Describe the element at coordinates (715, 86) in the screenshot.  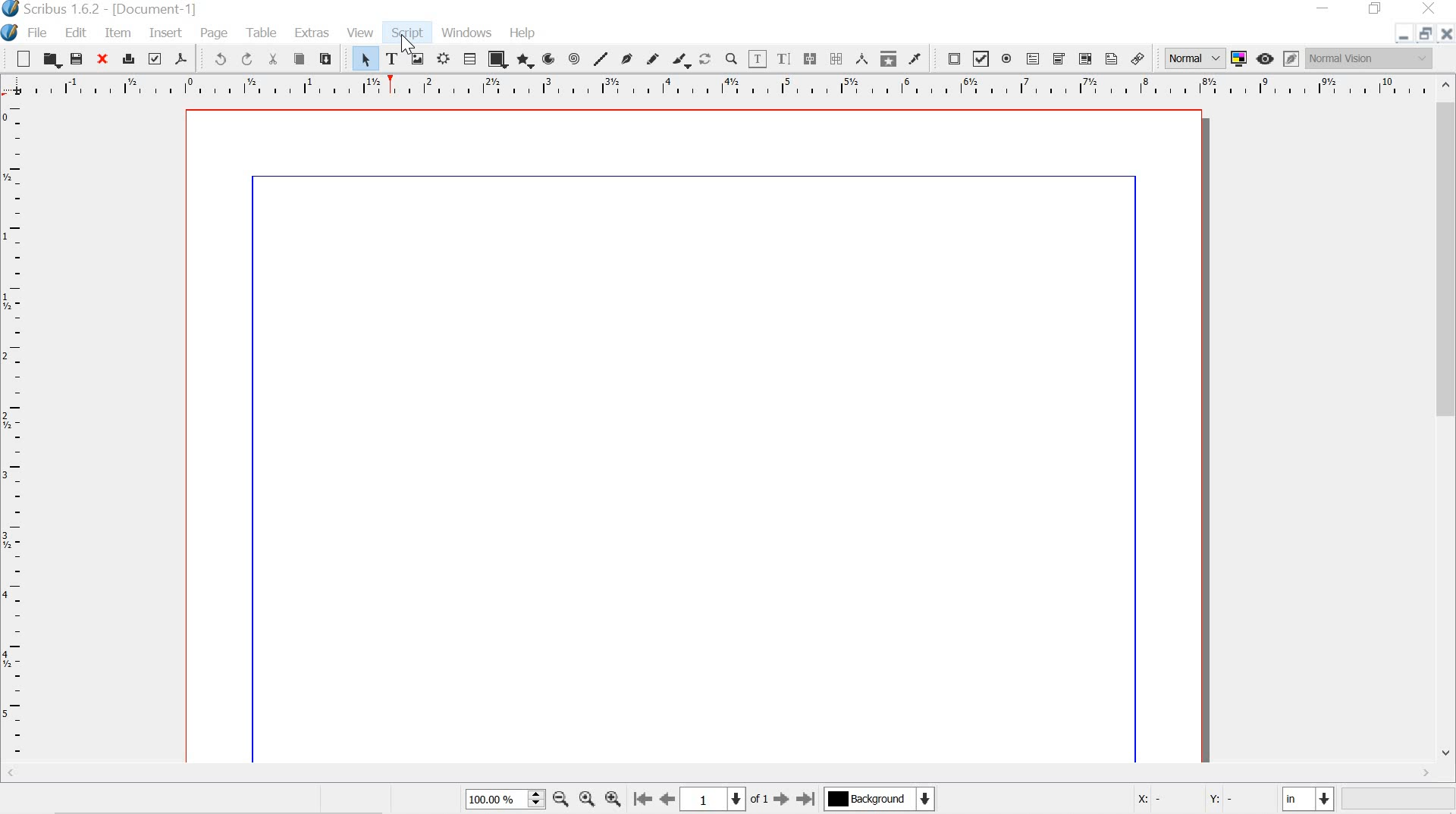
I see `ruler` at that location.